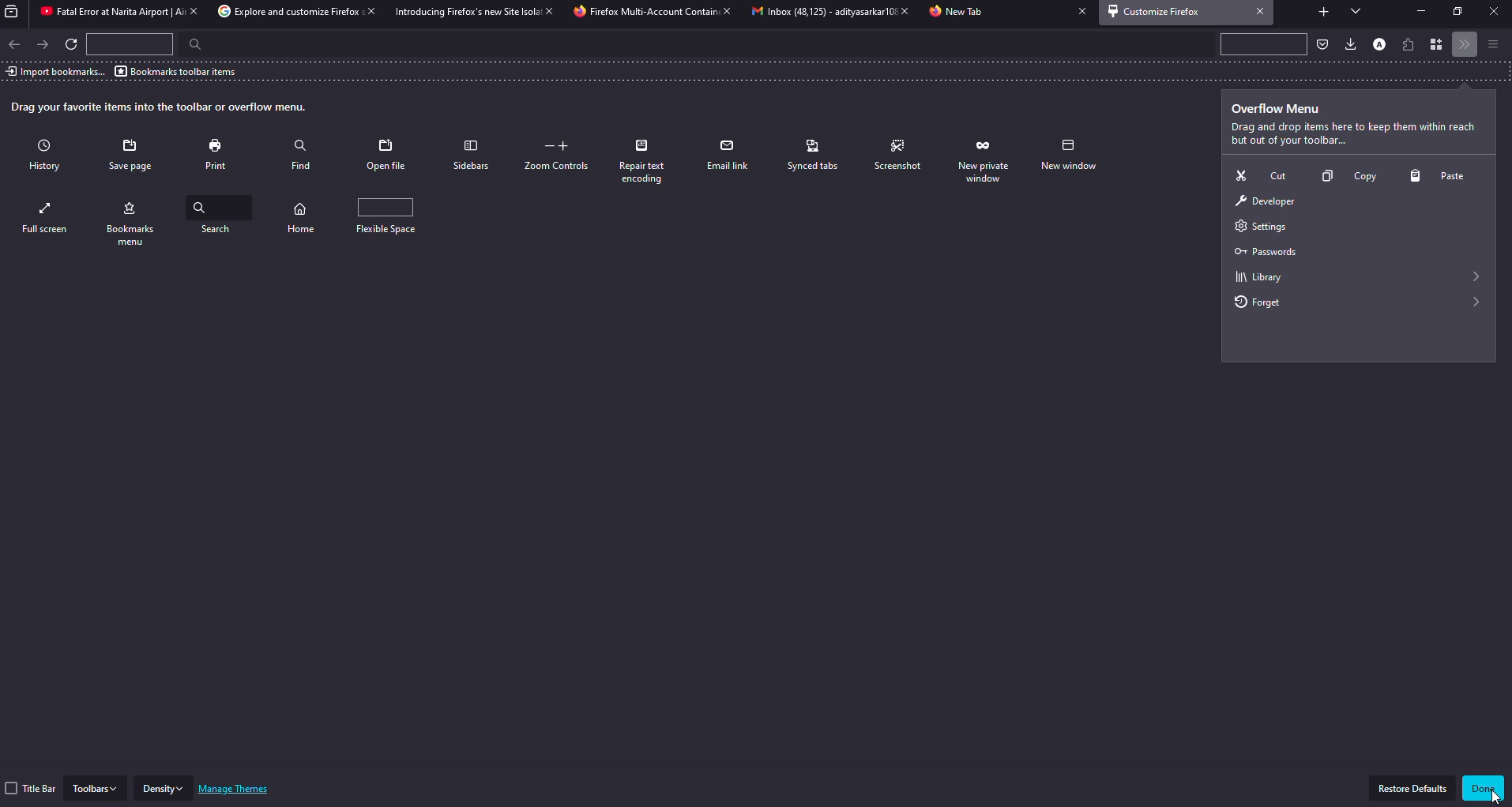 The height and width of the screenshot is (807, 1512). Describe the element at coordinates (1267, 304) in the screenshot. I see `item dragged` at that location.